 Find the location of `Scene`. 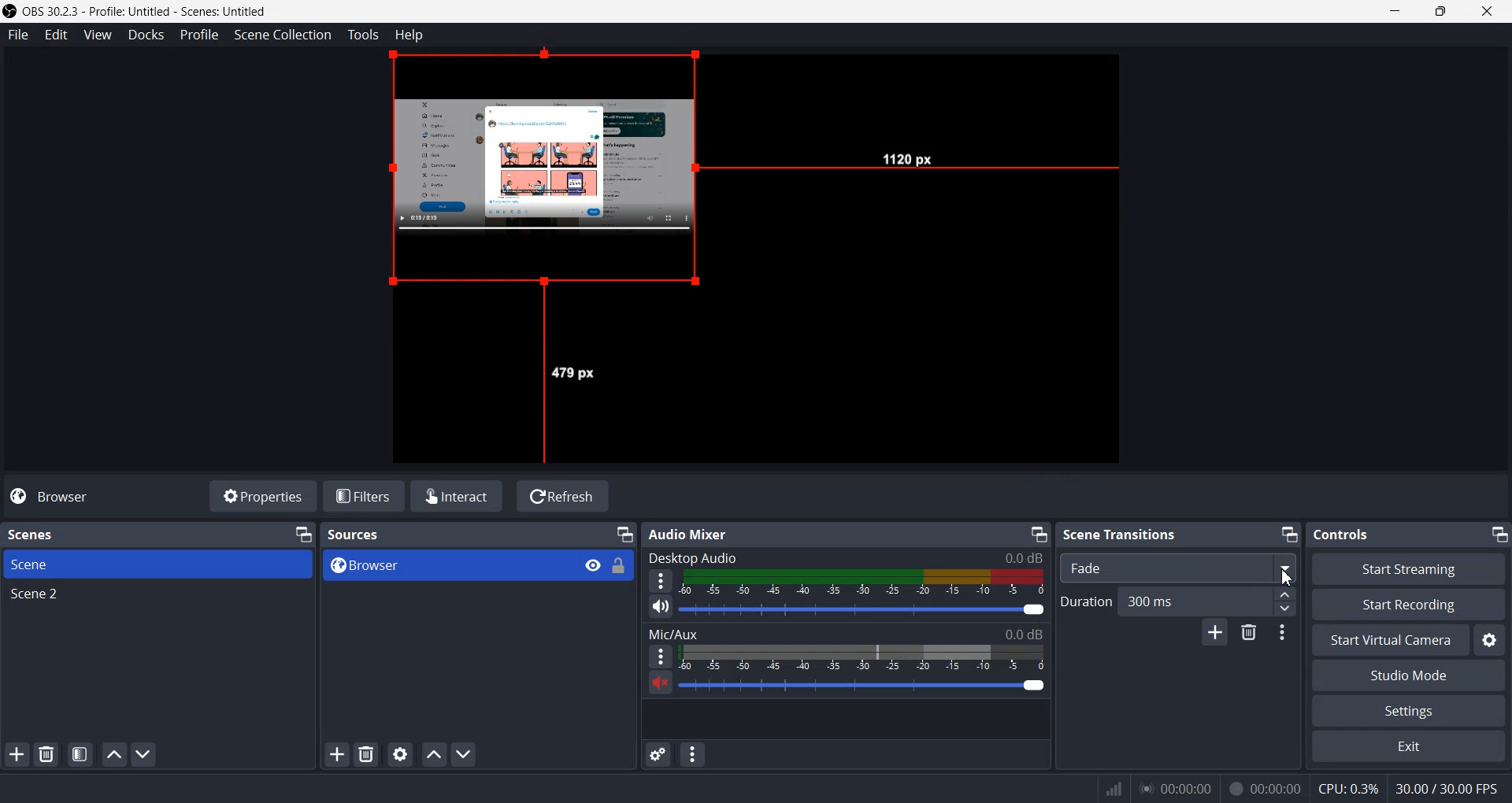

Scene is located at coordinates (157, 564).